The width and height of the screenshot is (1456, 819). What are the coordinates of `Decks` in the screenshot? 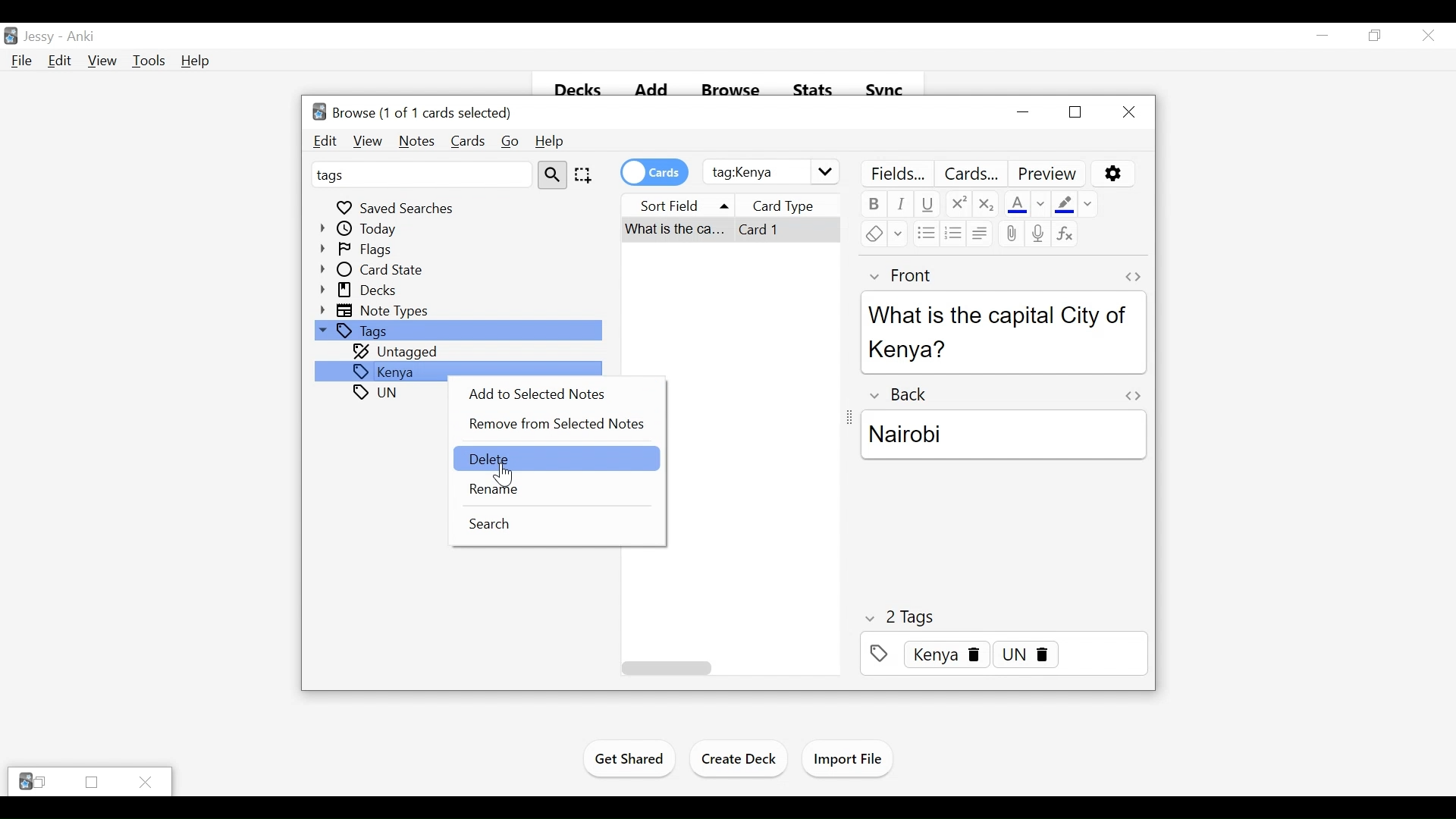 It's located at (360, 290).